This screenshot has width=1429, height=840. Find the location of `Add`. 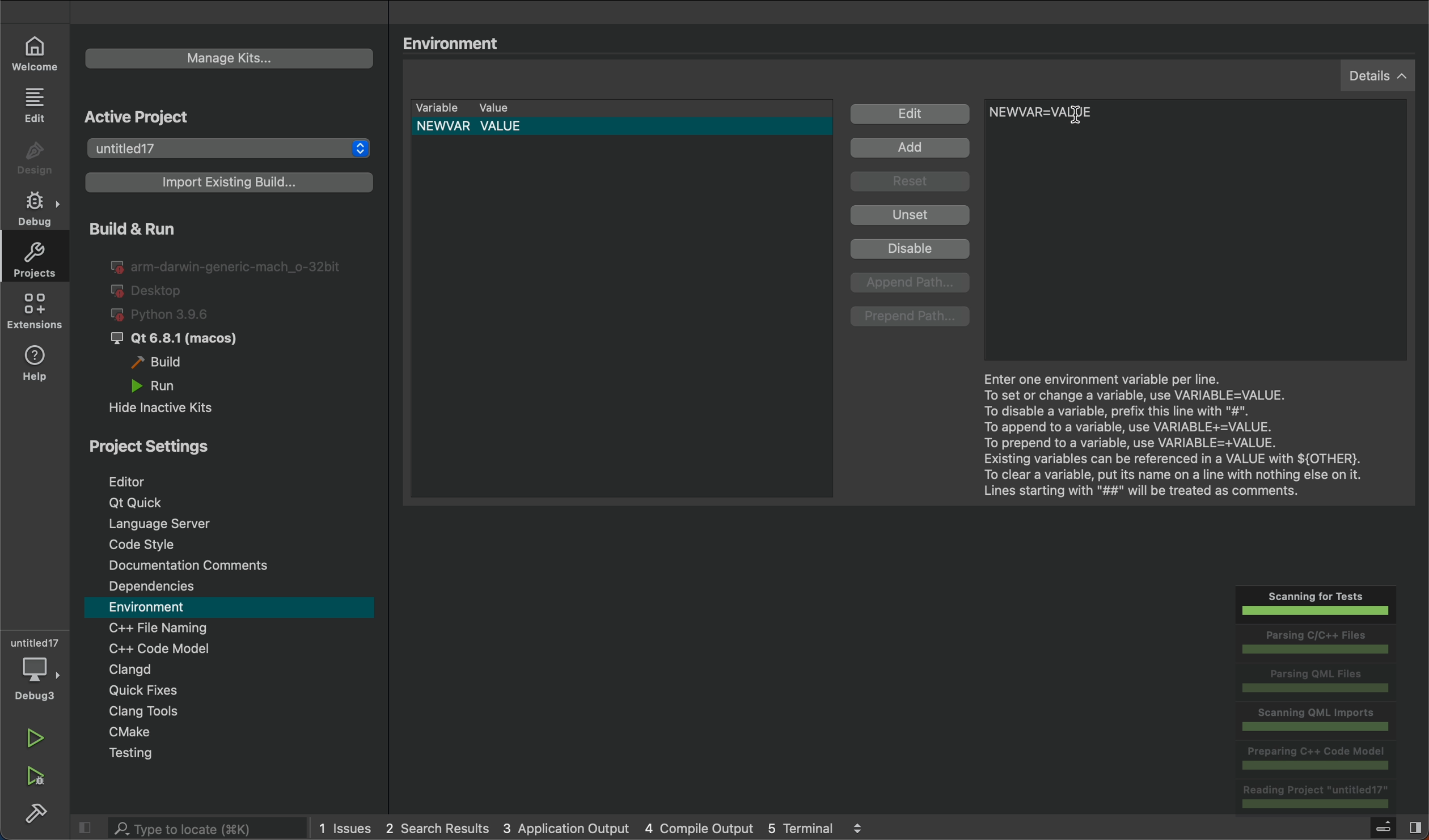

Add is located at coordinates (913, 149).